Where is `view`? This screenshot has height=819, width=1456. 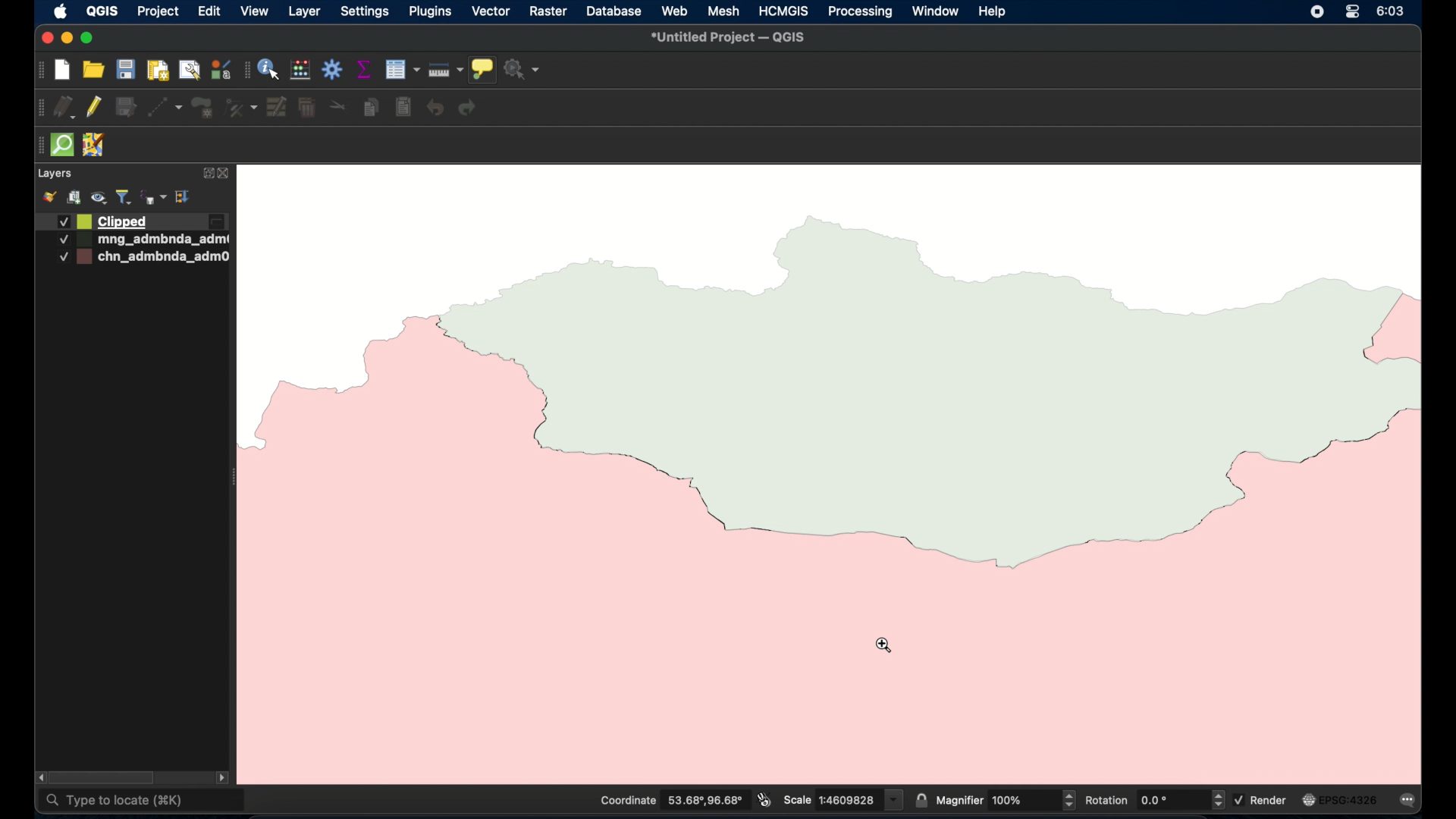 view is located at coordinates (255, 11).